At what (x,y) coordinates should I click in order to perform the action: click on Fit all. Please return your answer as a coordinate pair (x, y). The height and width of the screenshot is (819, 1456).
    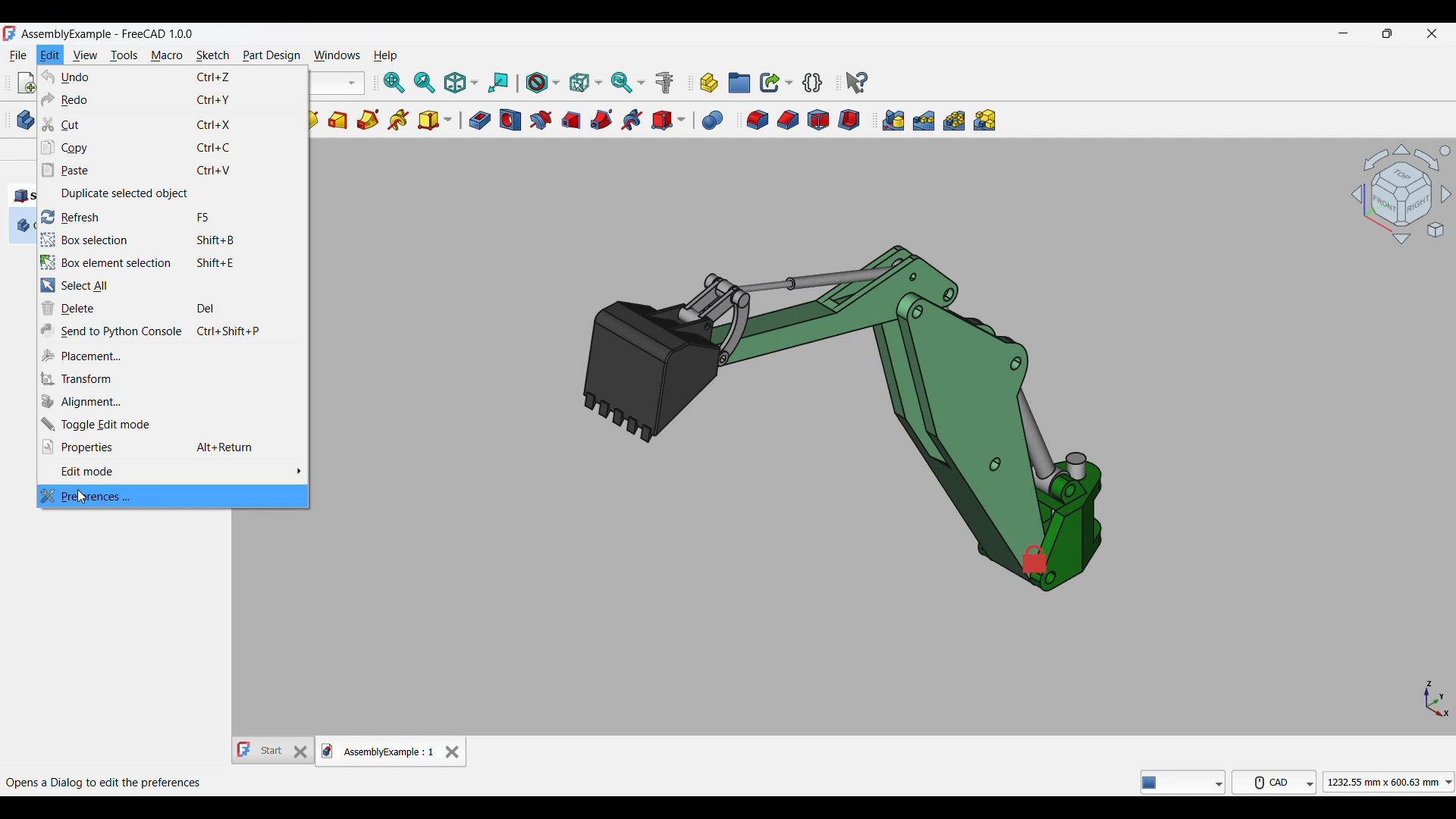
    Looking at the image, I should click on (394, 83).